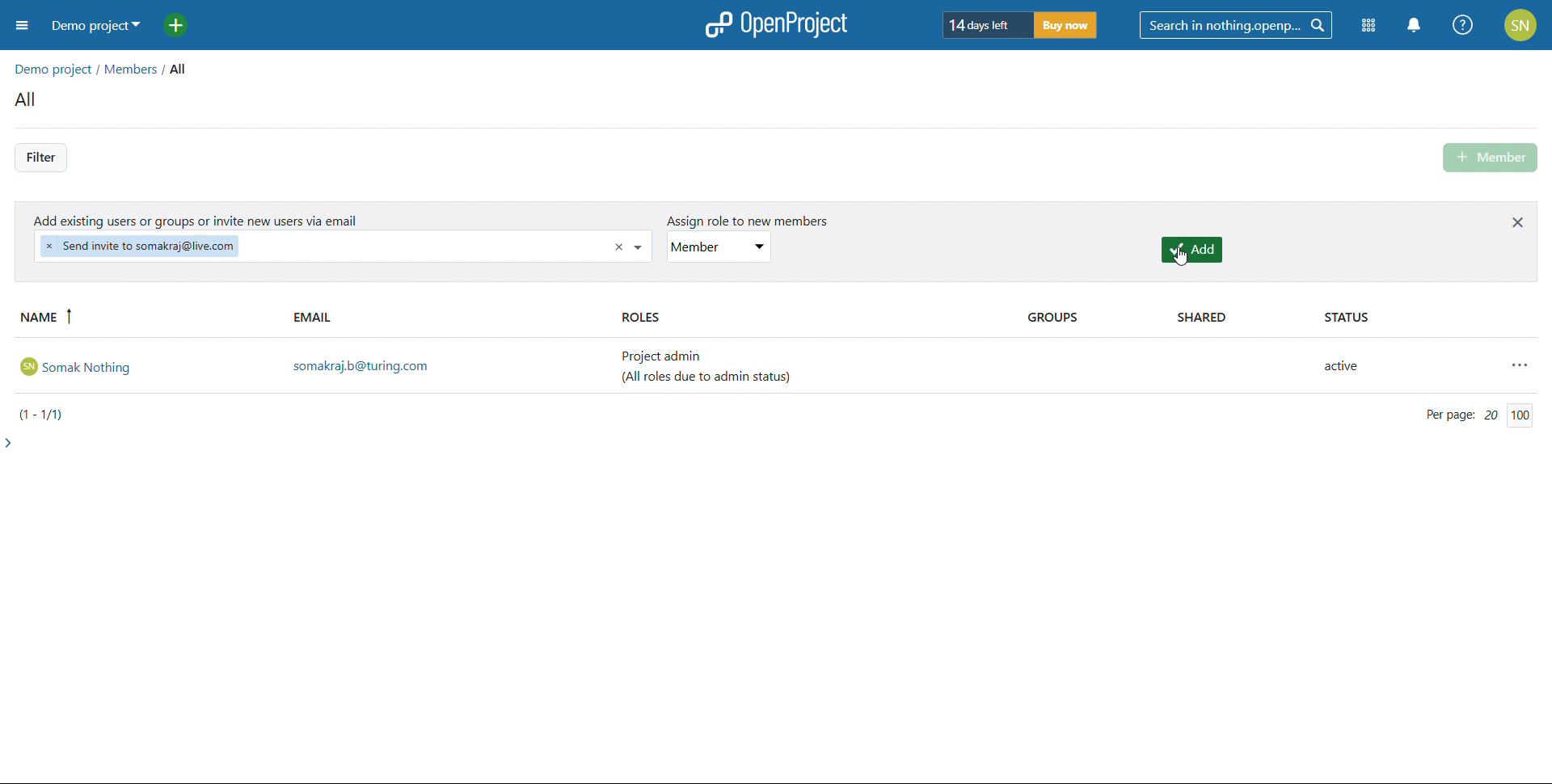 Image resolution: width=1552 pixels, height=784 pixels. I want to click on remove email id, so click(619, 248).